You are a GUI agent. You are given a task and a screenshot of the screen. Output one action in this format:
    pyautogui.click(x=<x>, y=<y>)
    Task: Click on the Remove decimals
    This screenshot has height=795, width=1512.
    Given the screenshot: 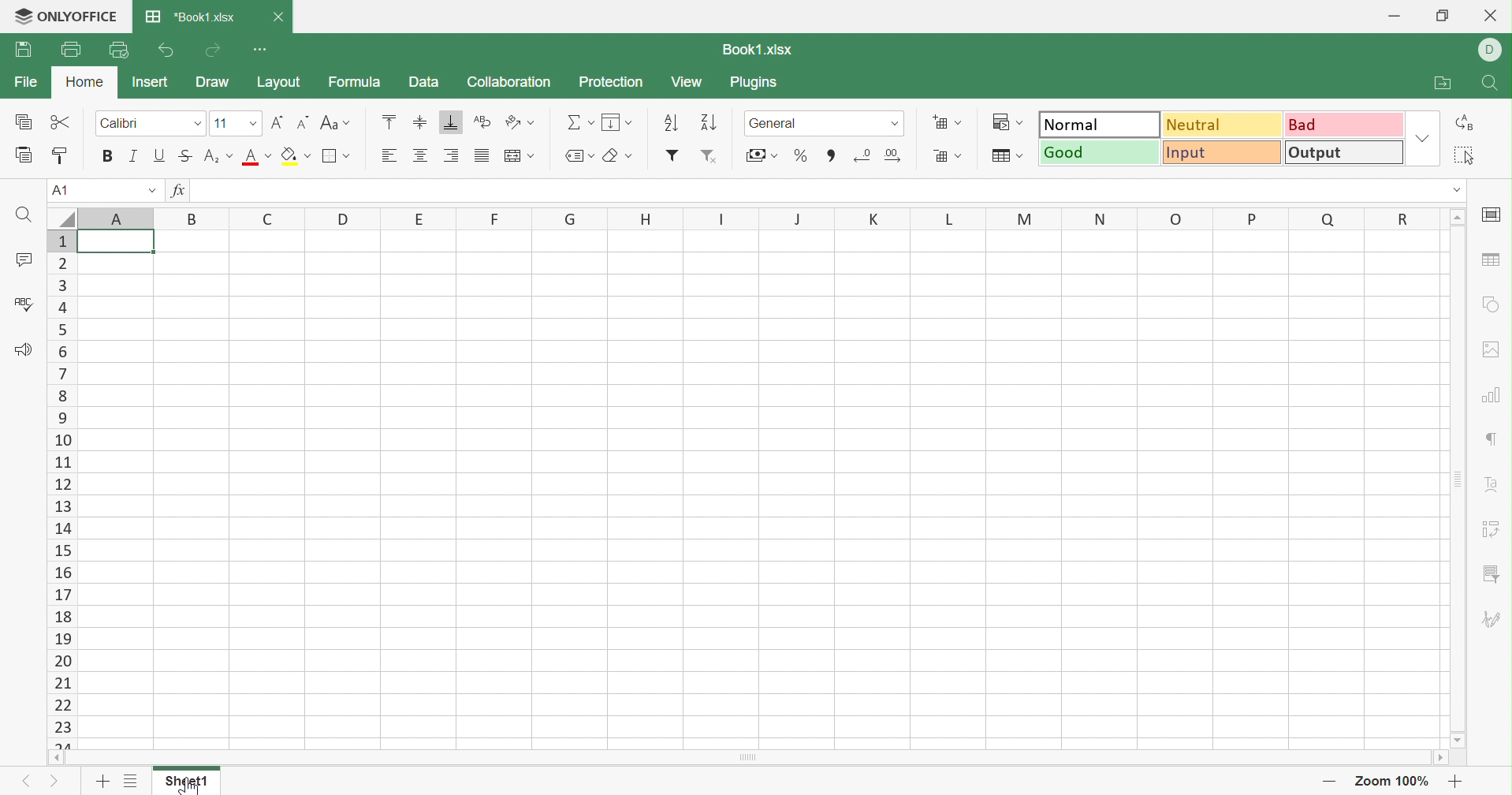 What is the action you would take?
    pyautogui.click(x=894, y=155)
    